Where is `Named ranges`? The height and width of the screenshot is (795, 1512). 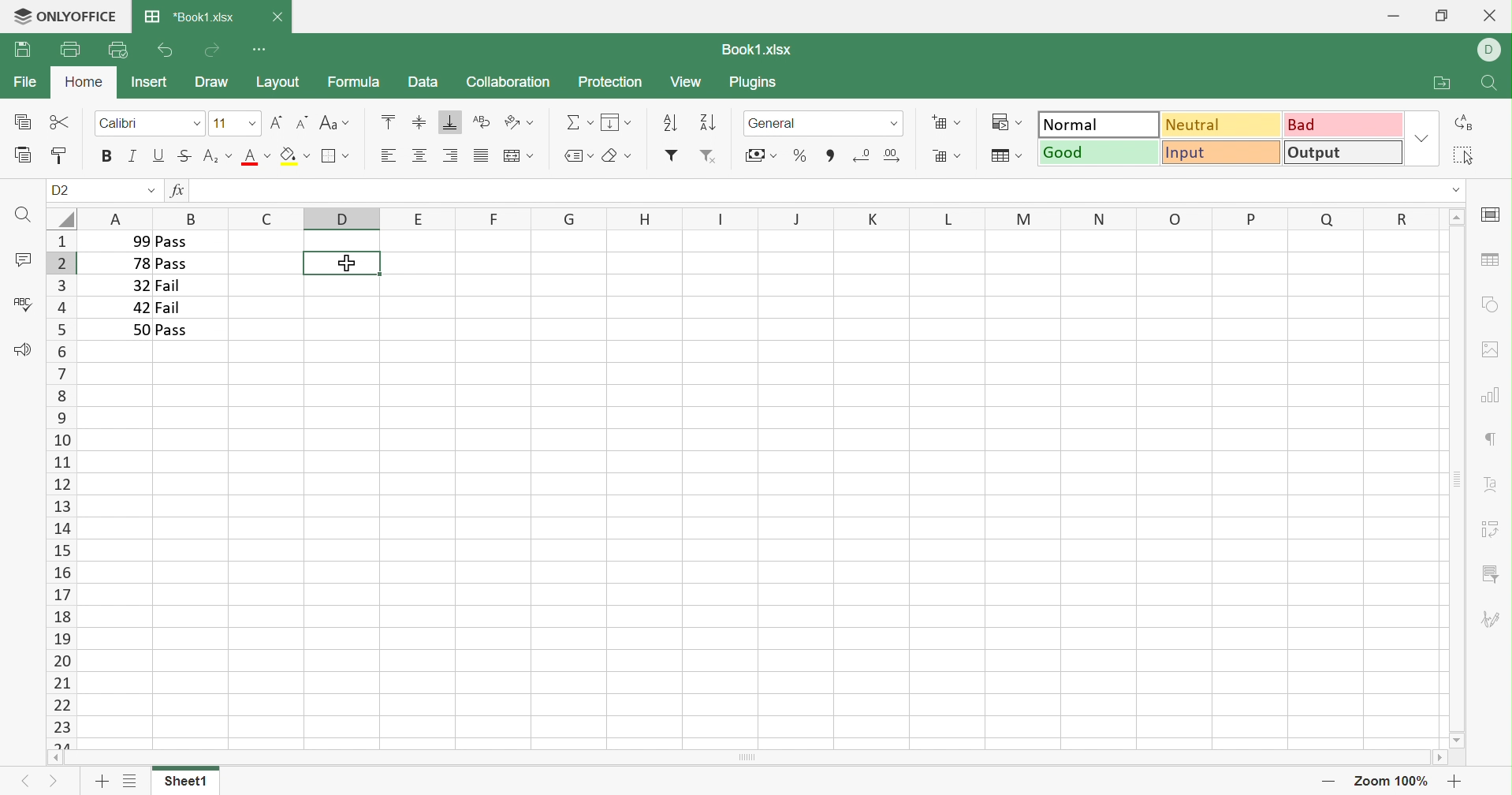
Named ranges is located at coordinates (576, 155).